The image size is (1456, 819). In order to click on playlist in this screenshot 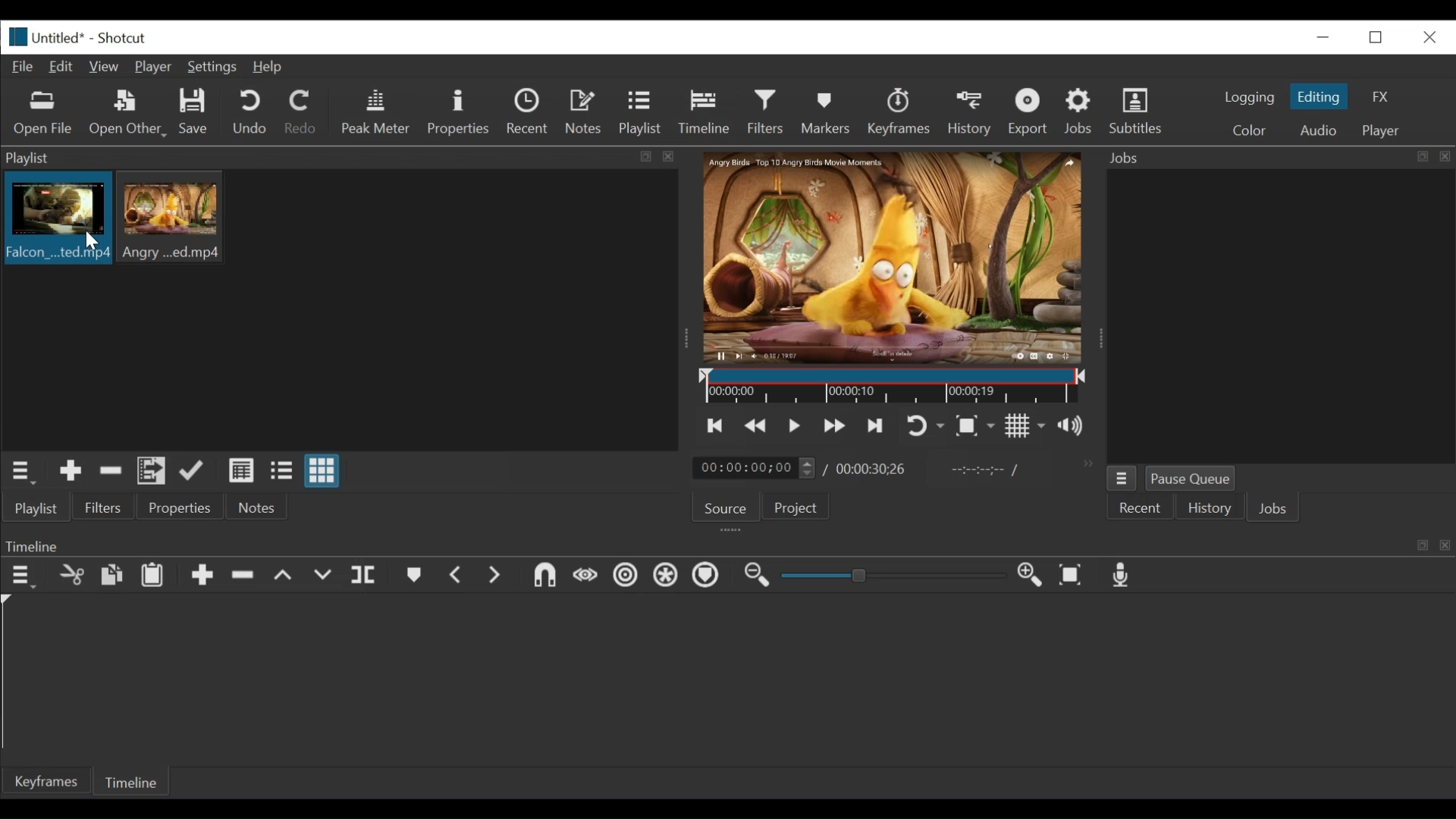, I will do `click(35, 508)`.